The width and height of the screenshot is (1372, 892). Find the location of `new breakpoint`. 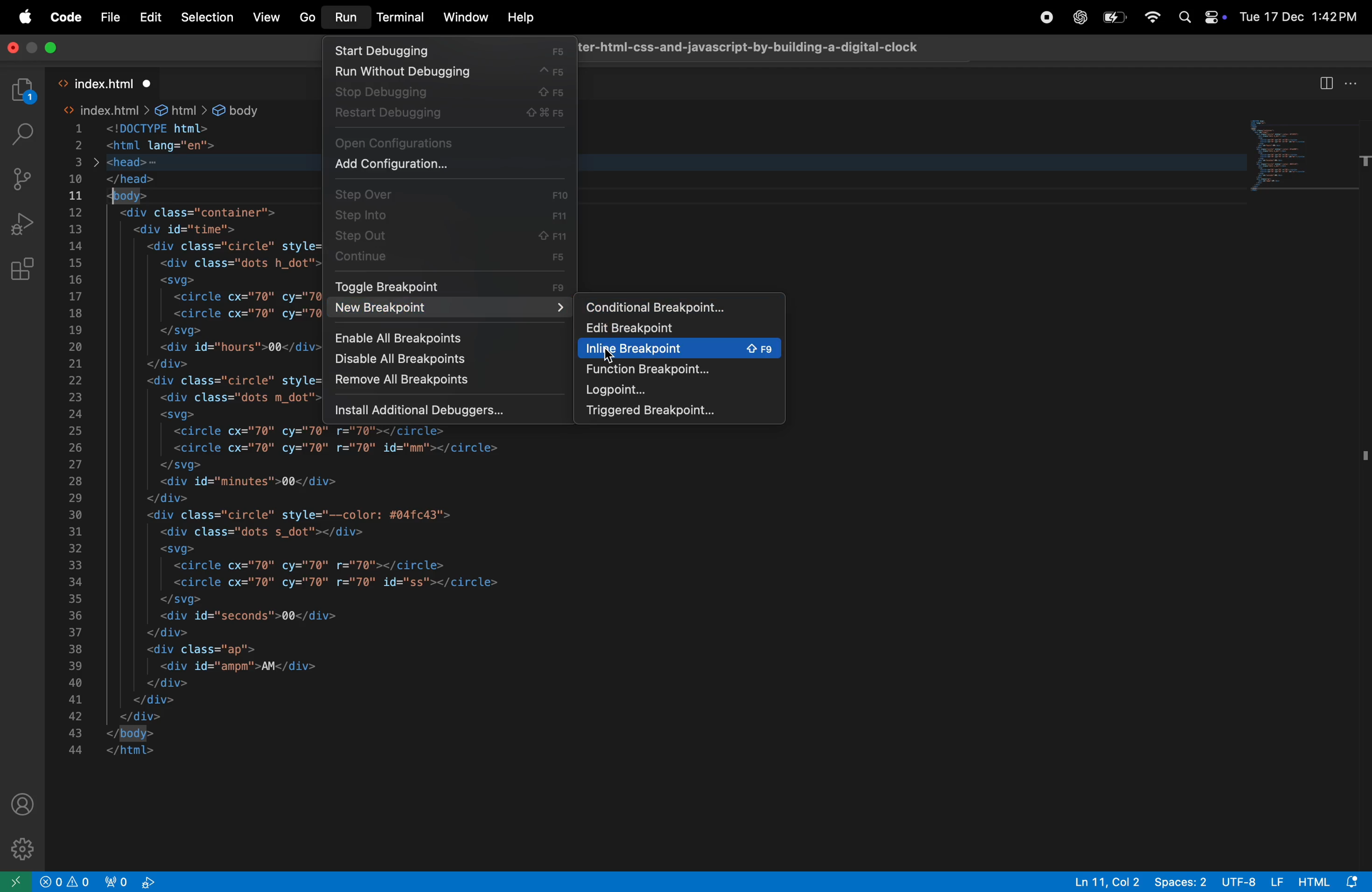

new breakpoint is located at coordinates (448, 309).